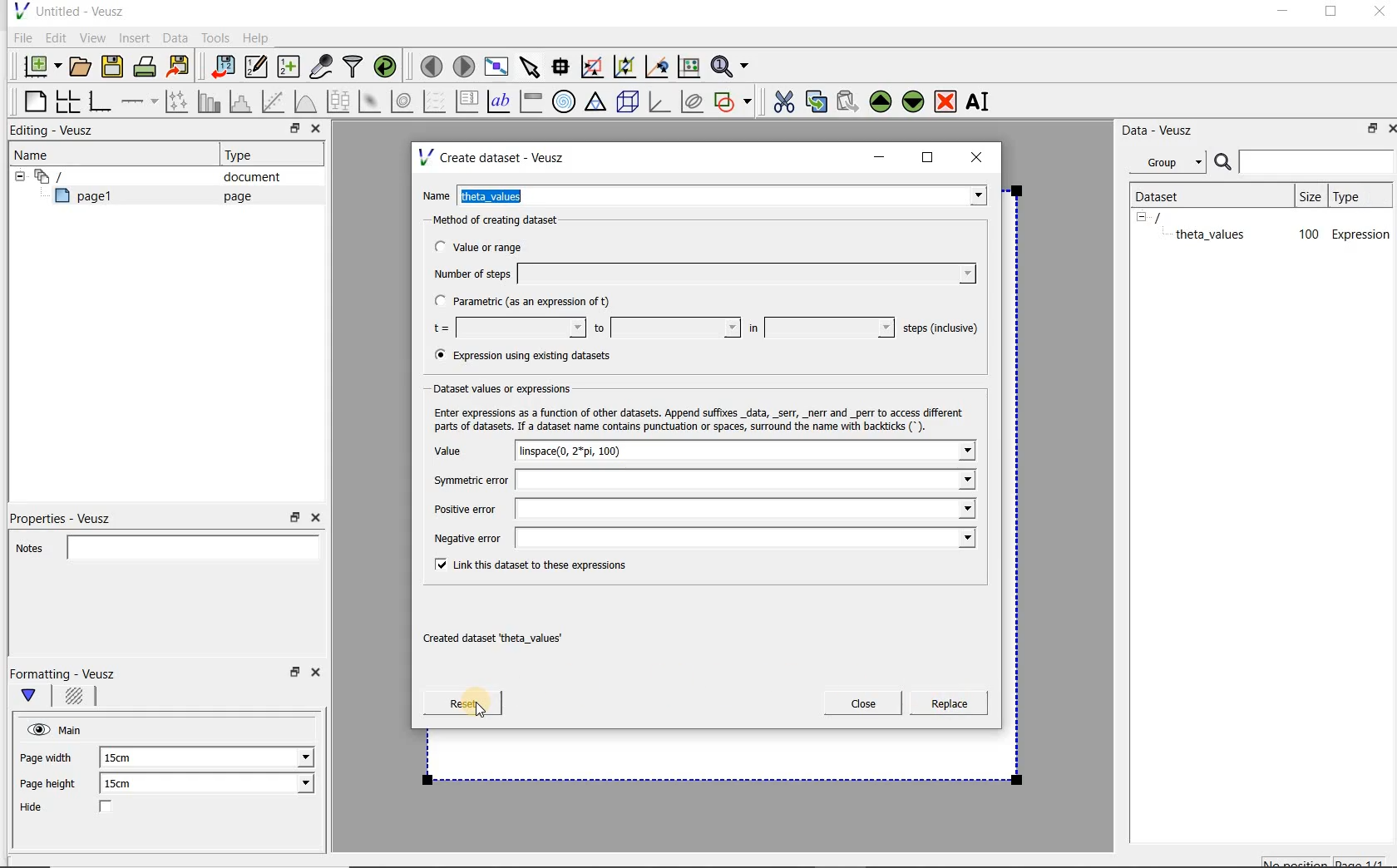 This screenshot has width=1397, height=868. I want to click on Parametric (as an expression of t), so click(530, 302).